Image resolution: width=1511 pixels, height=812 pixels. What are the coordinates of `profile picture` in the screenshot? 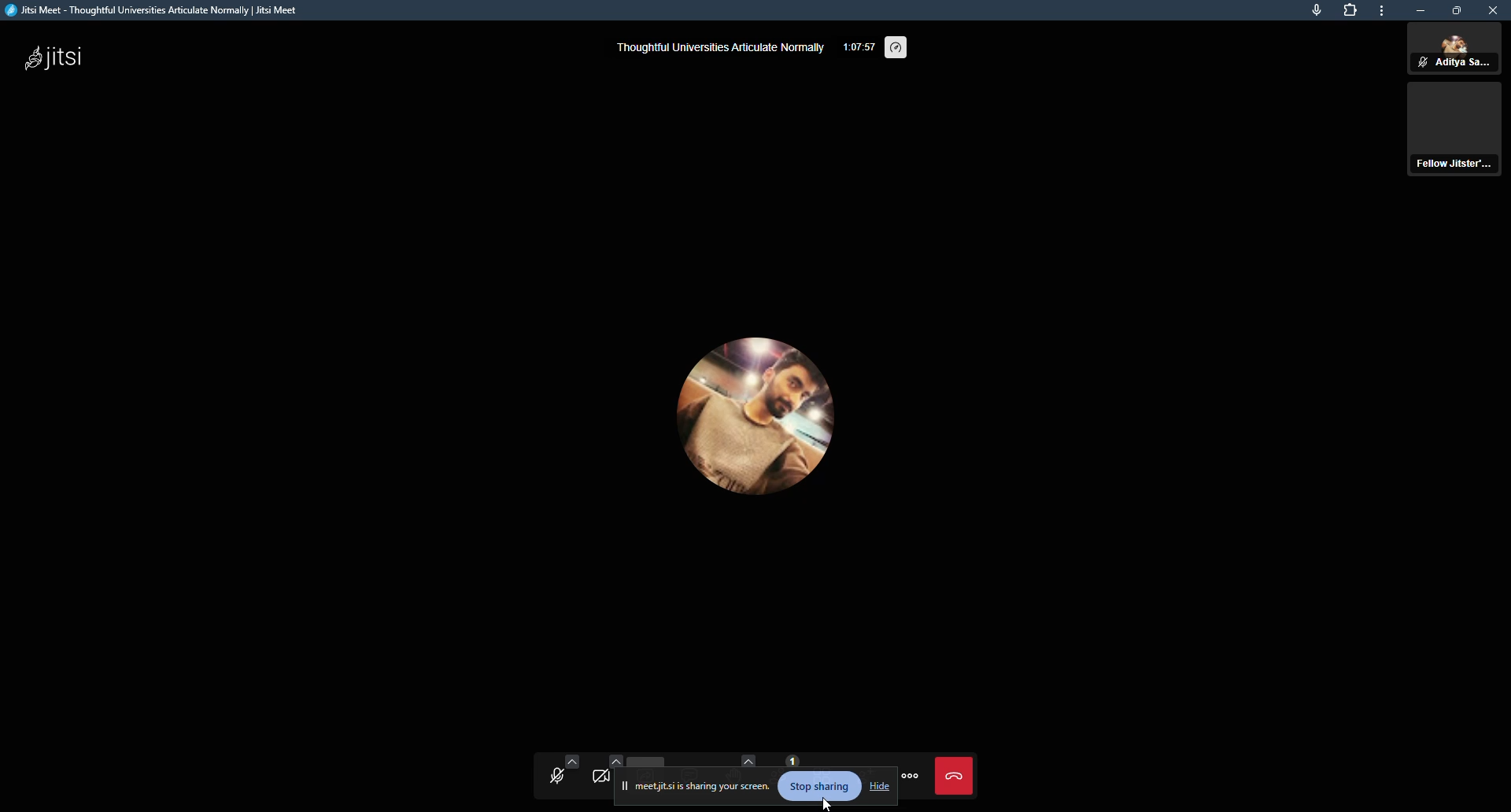 It's located at (738, 409).